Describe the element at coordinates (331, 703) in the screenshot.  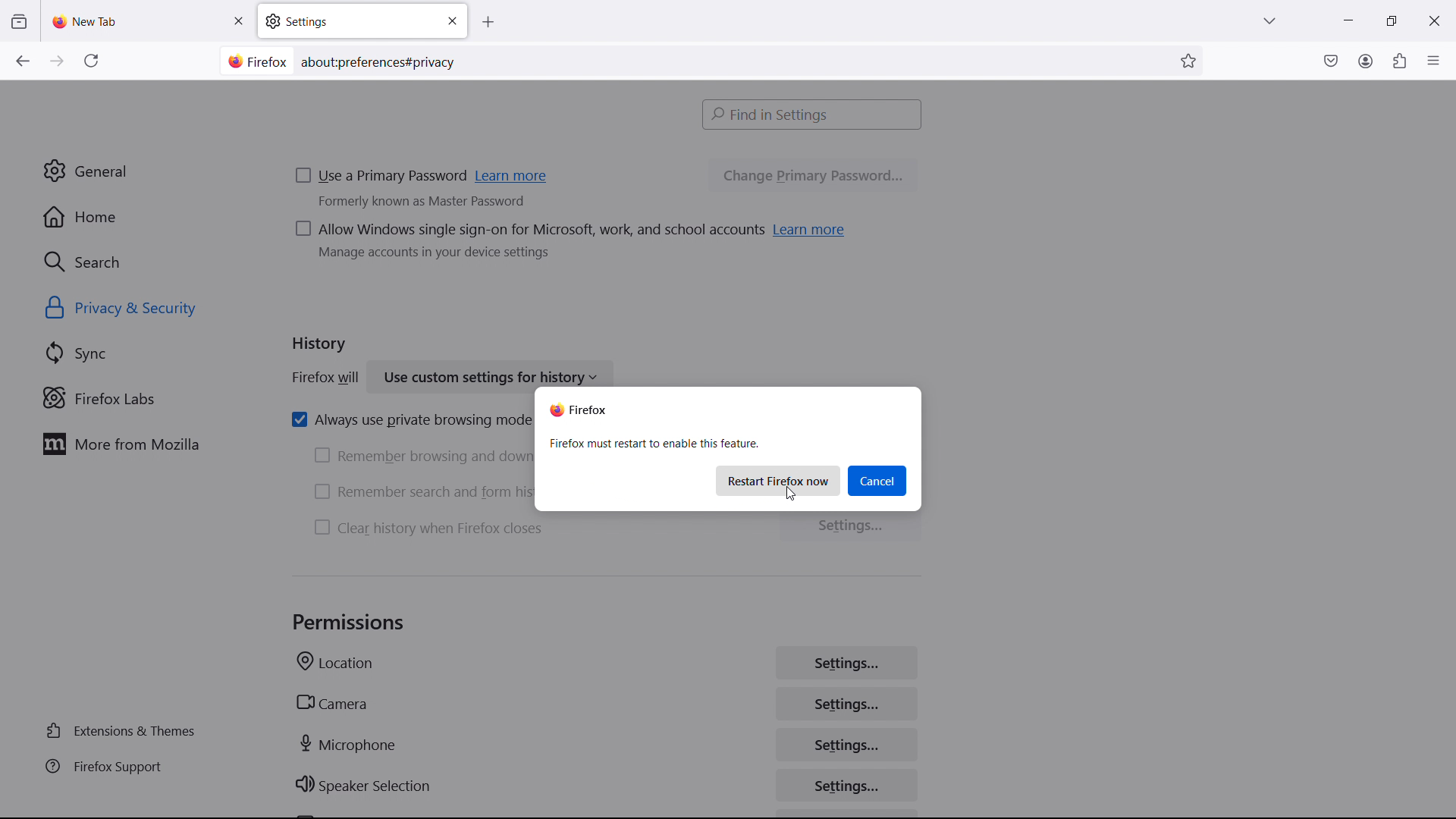
I see `camera` at that location.